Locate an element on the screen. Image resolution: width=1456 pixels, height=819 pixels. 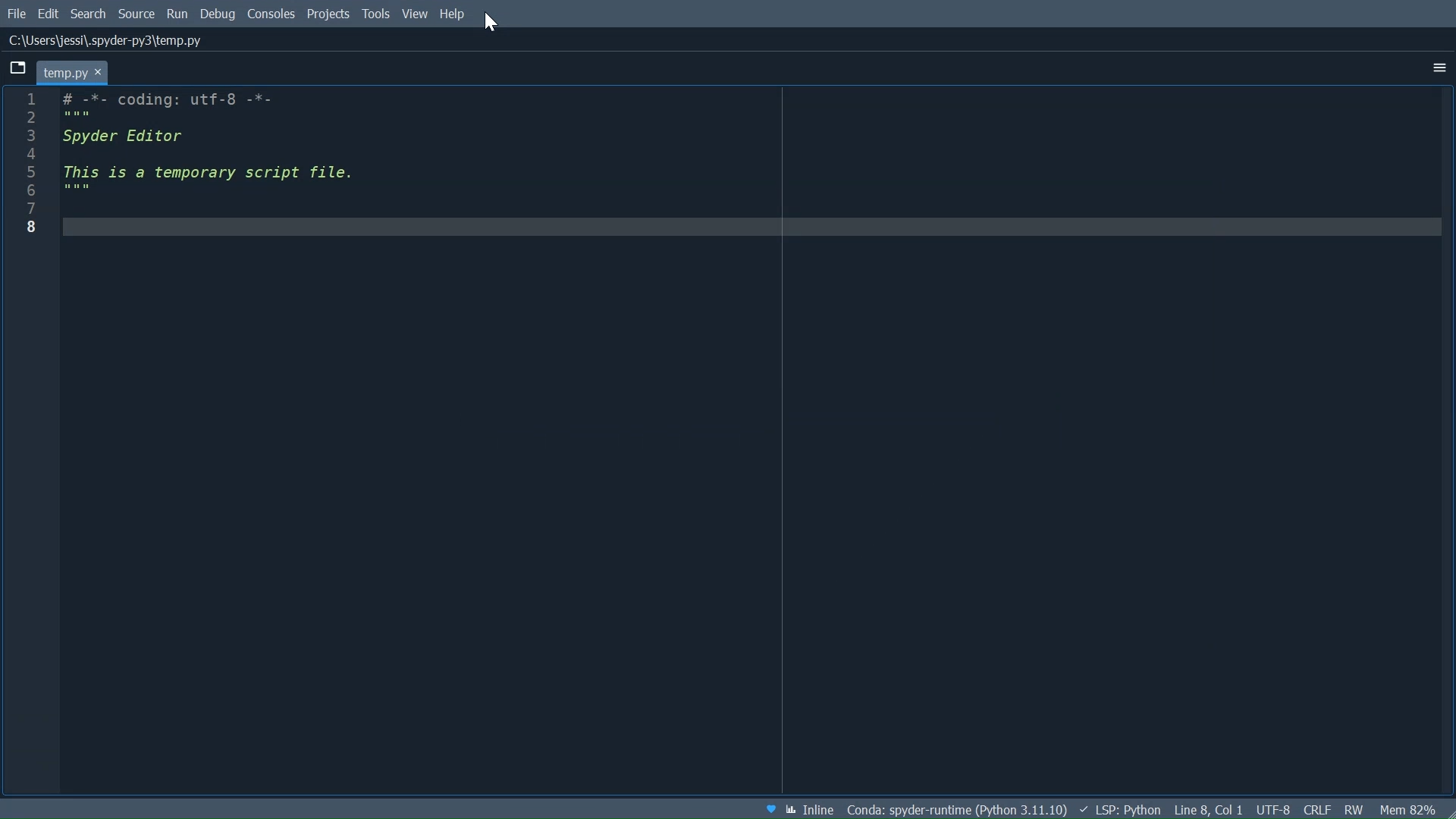
Toggle between inline and interactive Matplotlib plotting is located at coordinates (813, 808).